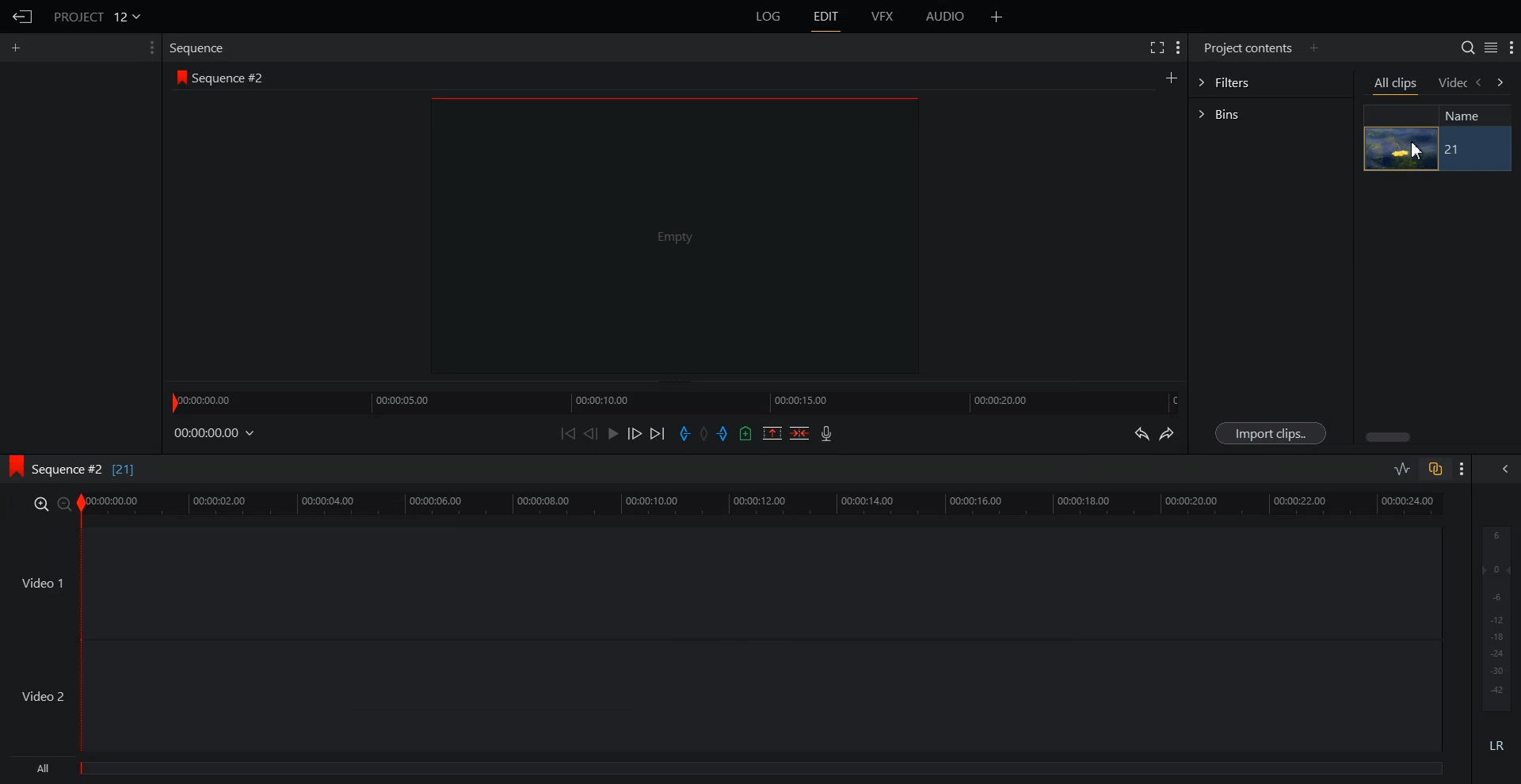  What do you see at coordinates (1503, 84) in the screenshot?
I see `forward` at bounding box center [1503, 84].